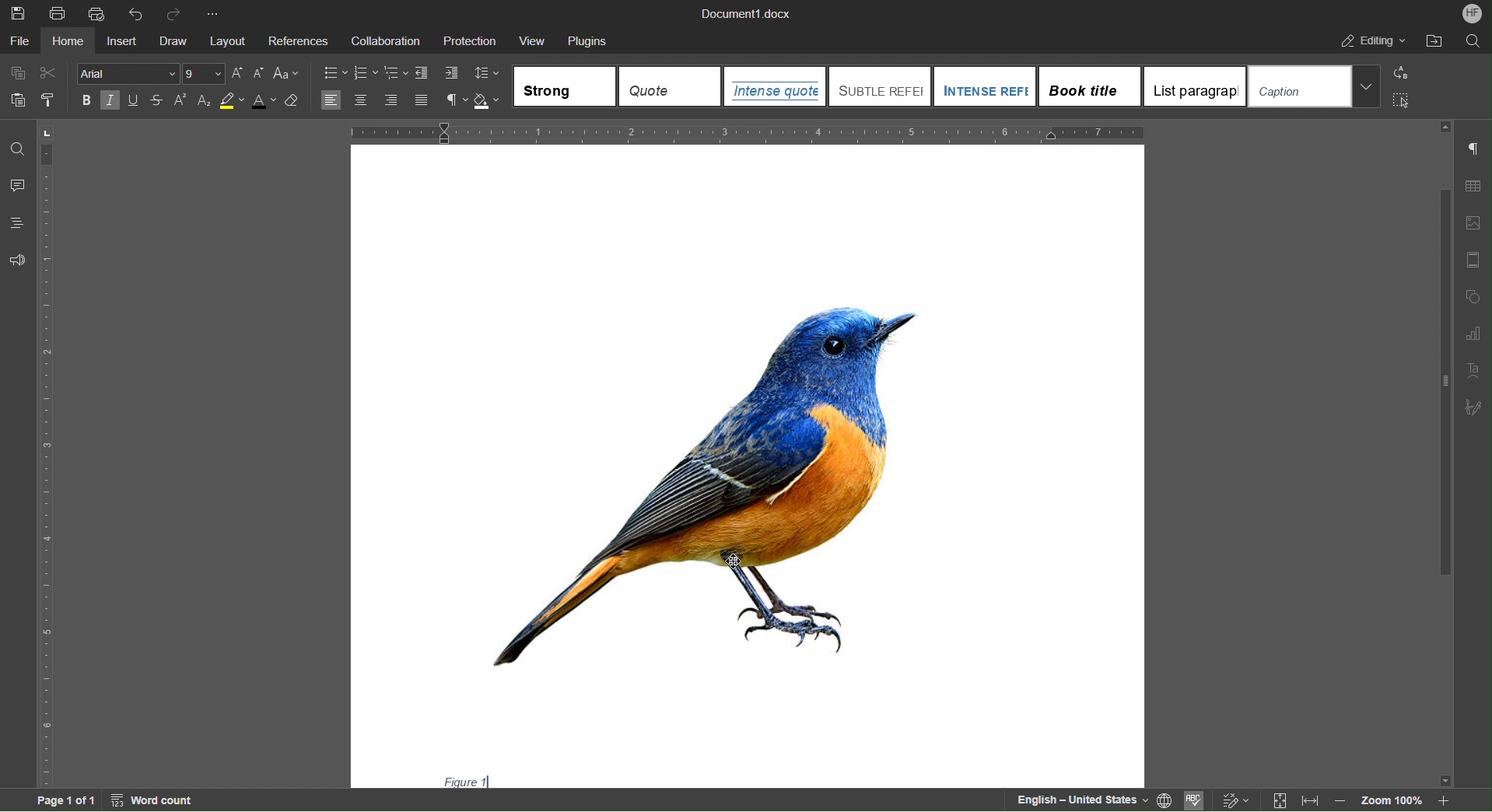 The width and height of the screenshot is (1492, 812). I want to click on Word Count, so click(156, 800).